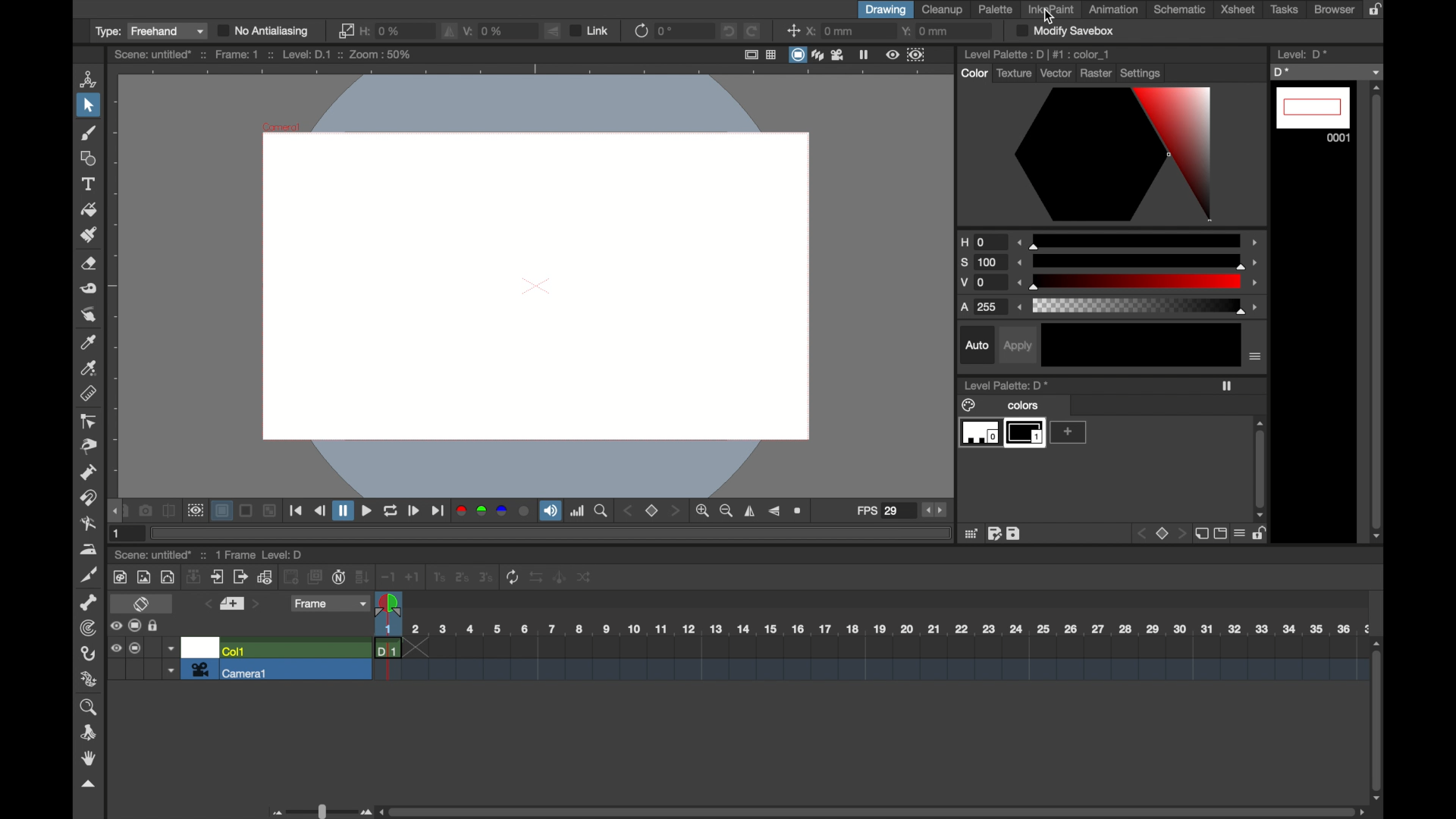  What do you see at coordinates (87, 289) in the screenshot?
I see `tape tool` at bounding box center [87, 289].